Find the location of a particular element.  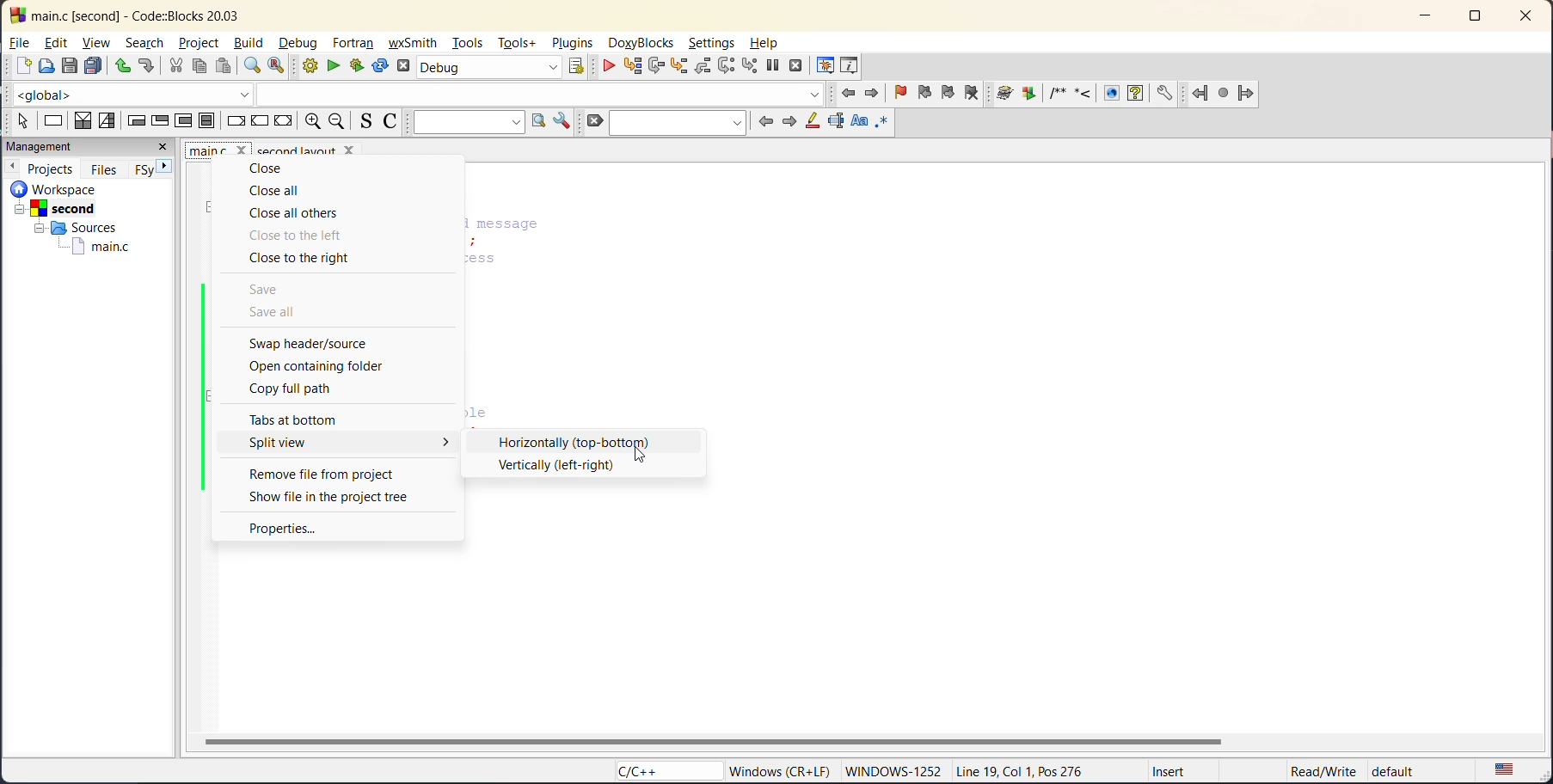

tools+ is located at coordinates (520, 43).